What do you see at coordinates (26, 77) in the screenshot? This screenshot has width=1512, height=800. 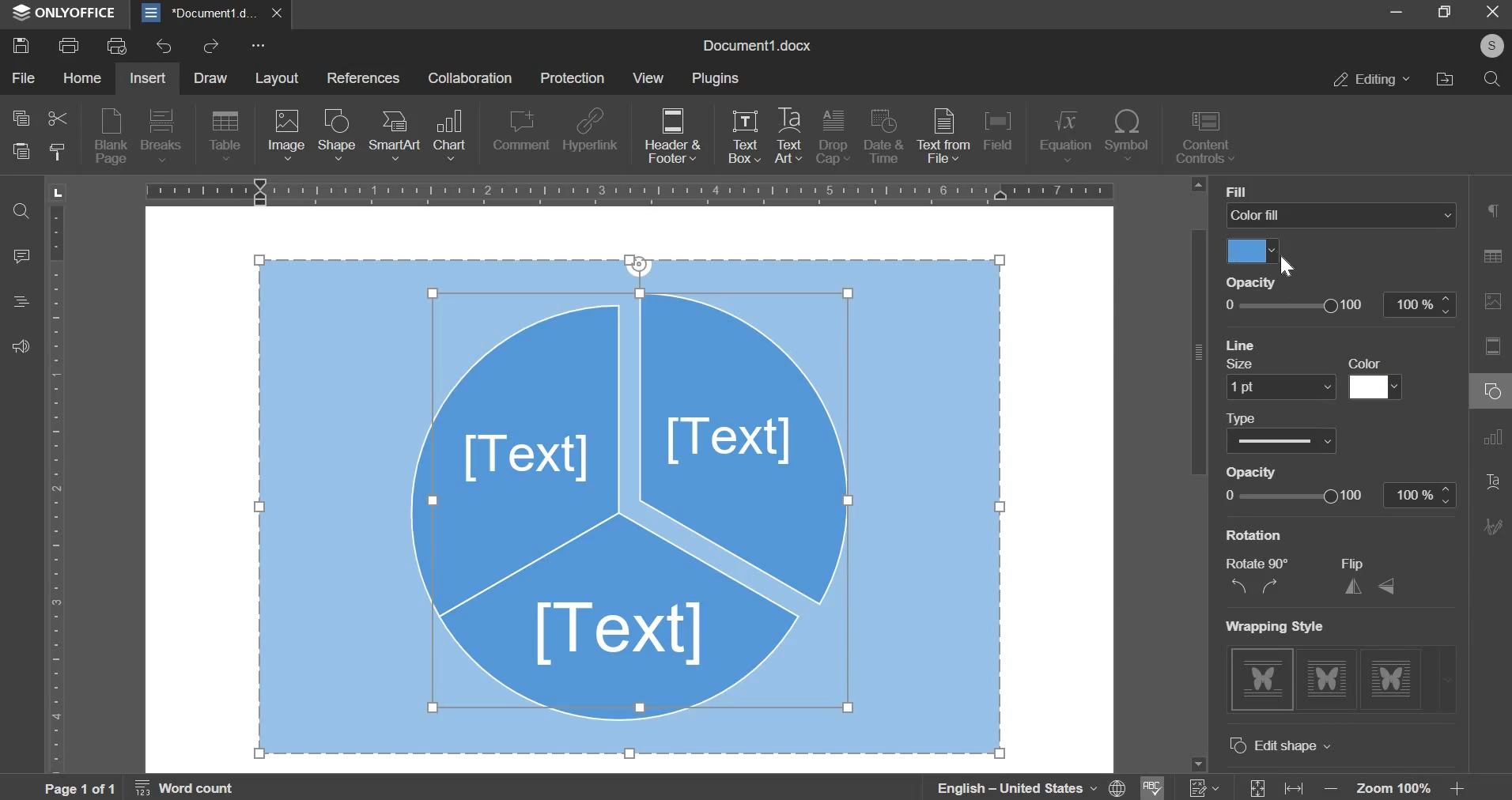 I see `file` at bounding box center [26, 77].